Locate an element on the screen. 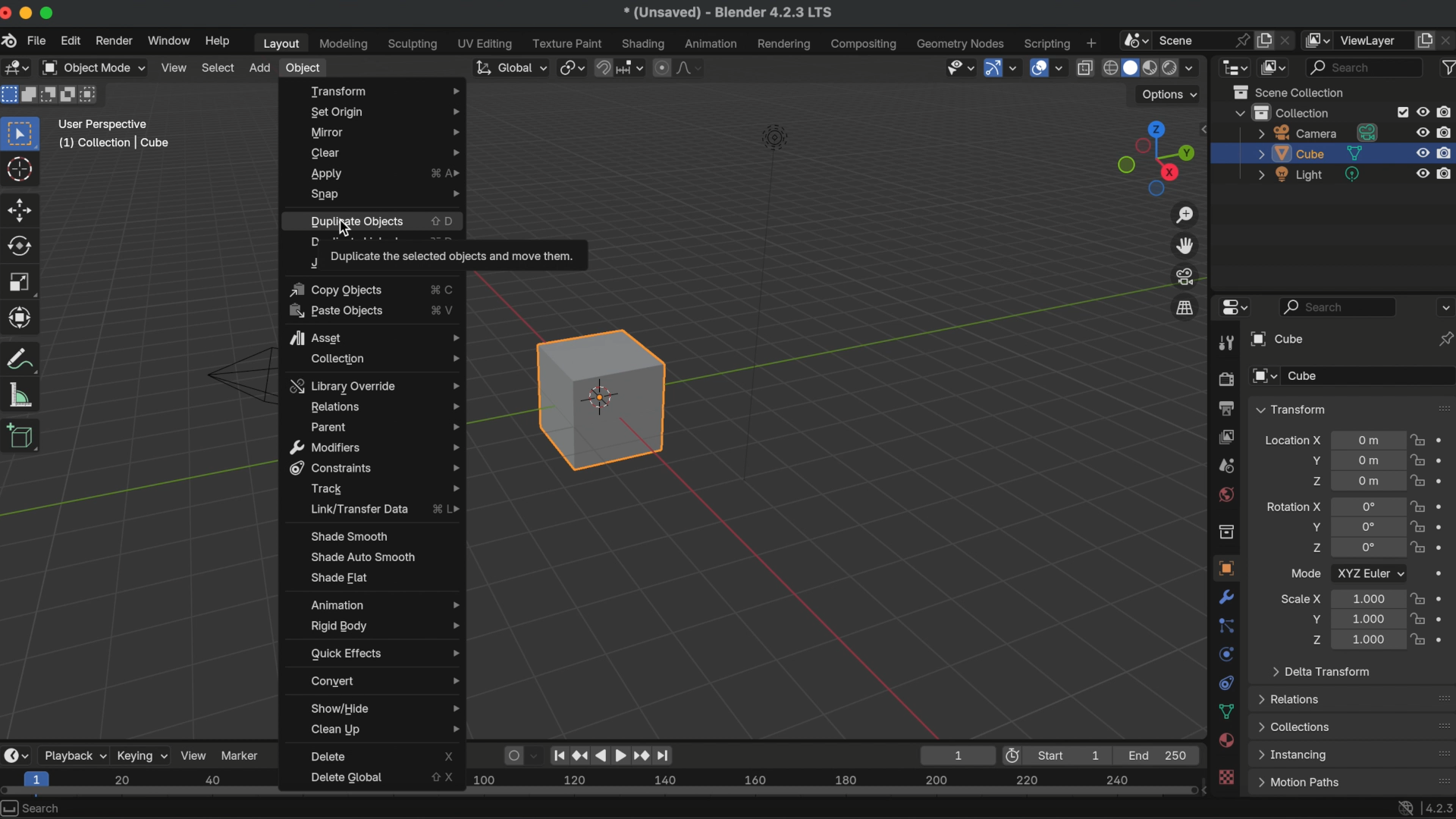 The height and width of the screenshot is (819, 1456). switch the current view from perspective is located at coordinates (1184, 307).